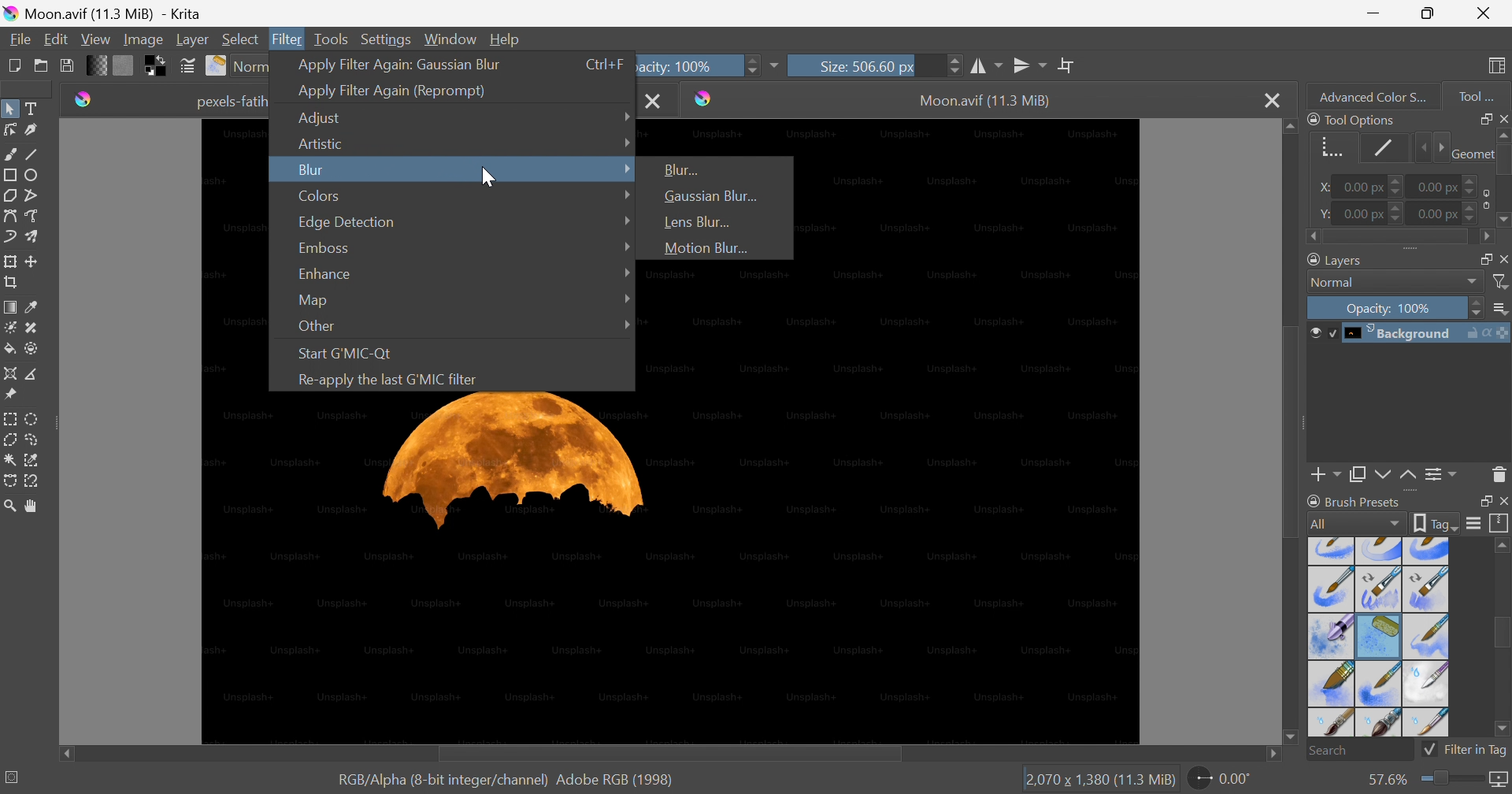  What do you see at coordinates (1503, 731) in the screenshot?
I see `Scroll down` at bounding box center [1503, 731].